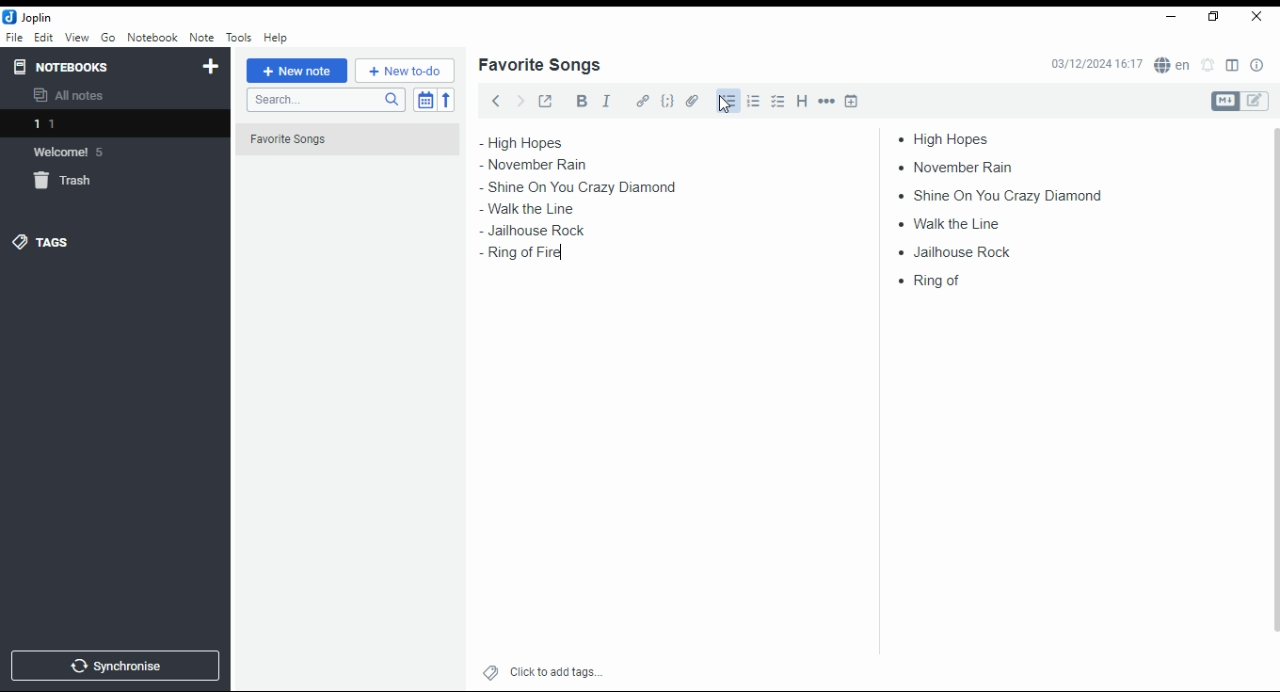 This screenshot has width=1280, height=692. I want to click on jailhouse rock, so click(958, 253).